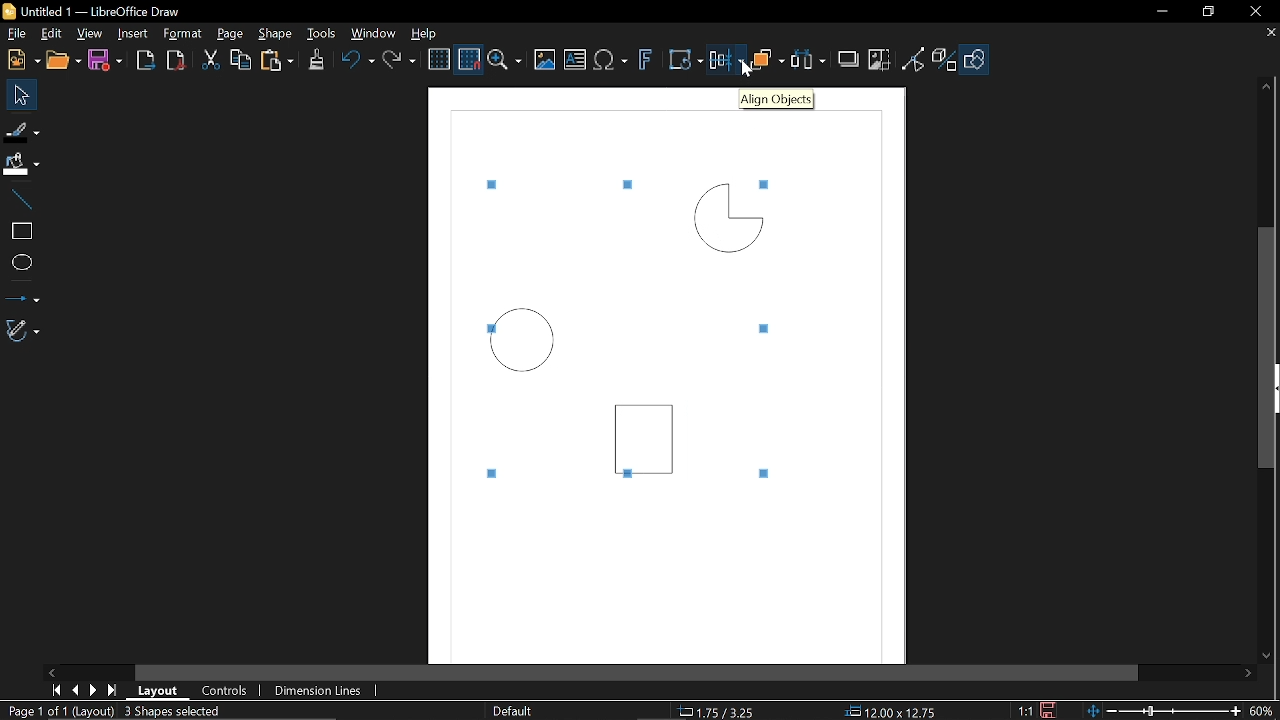 The height and width of the screenshot is (720, 1280). What do you see at coordinates (172, 710) in the screenshot?
I see `3 Shapes selected` at bounding box center [172, 710].